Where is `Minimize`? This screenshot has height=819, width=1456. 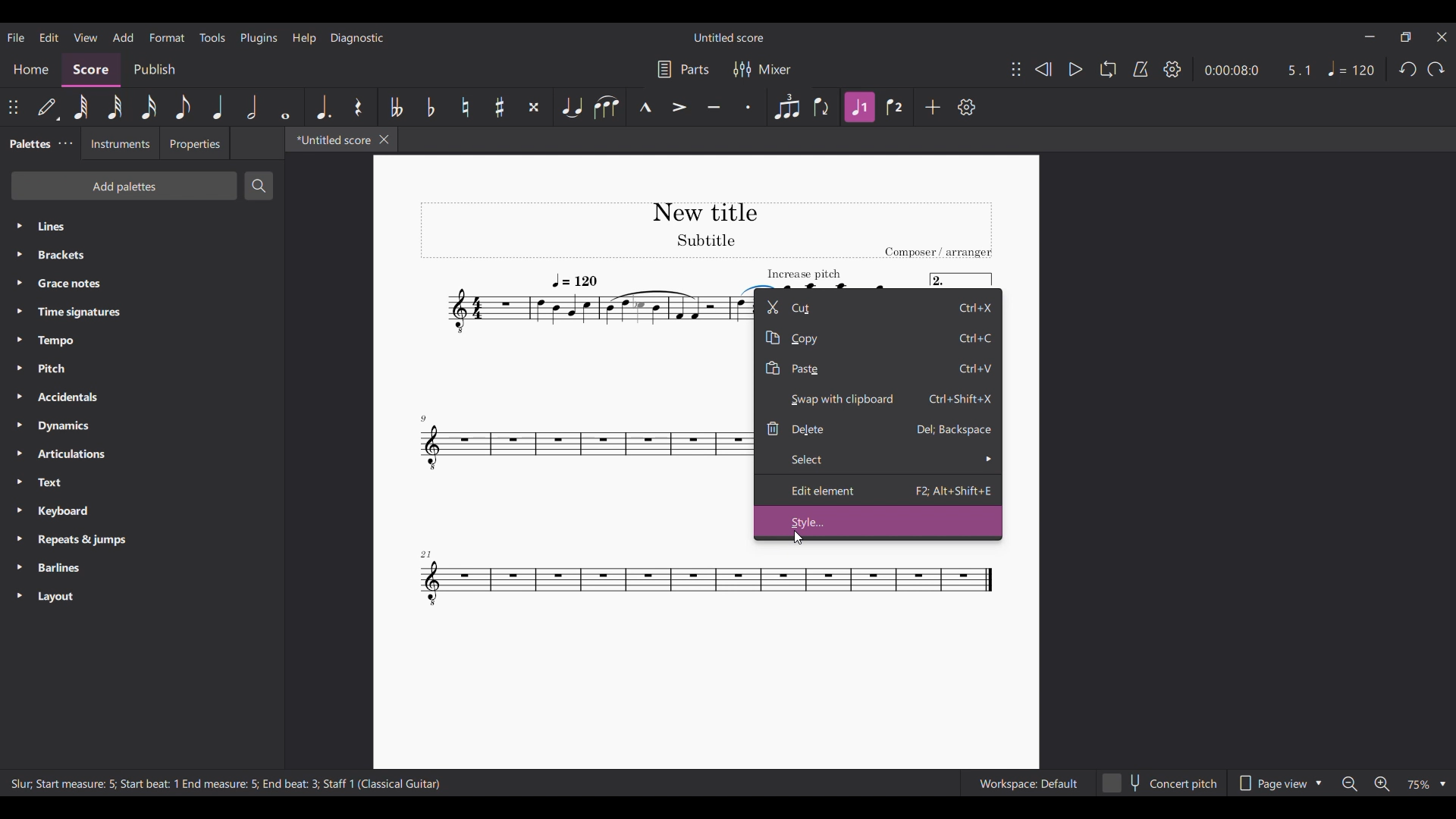 Minimize is located at coordinates (1370, 36).